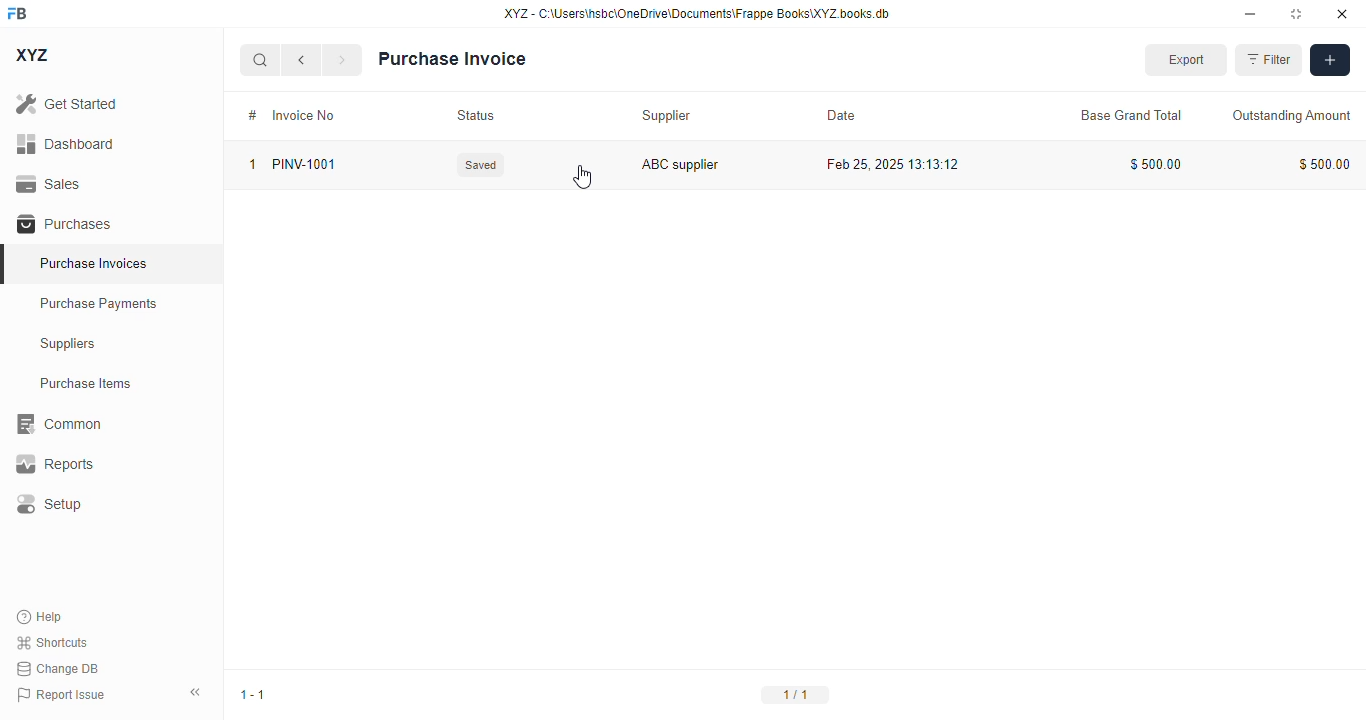  Describe the element at coordinates (261, 60) in the screenshot. I see `search` at that location.